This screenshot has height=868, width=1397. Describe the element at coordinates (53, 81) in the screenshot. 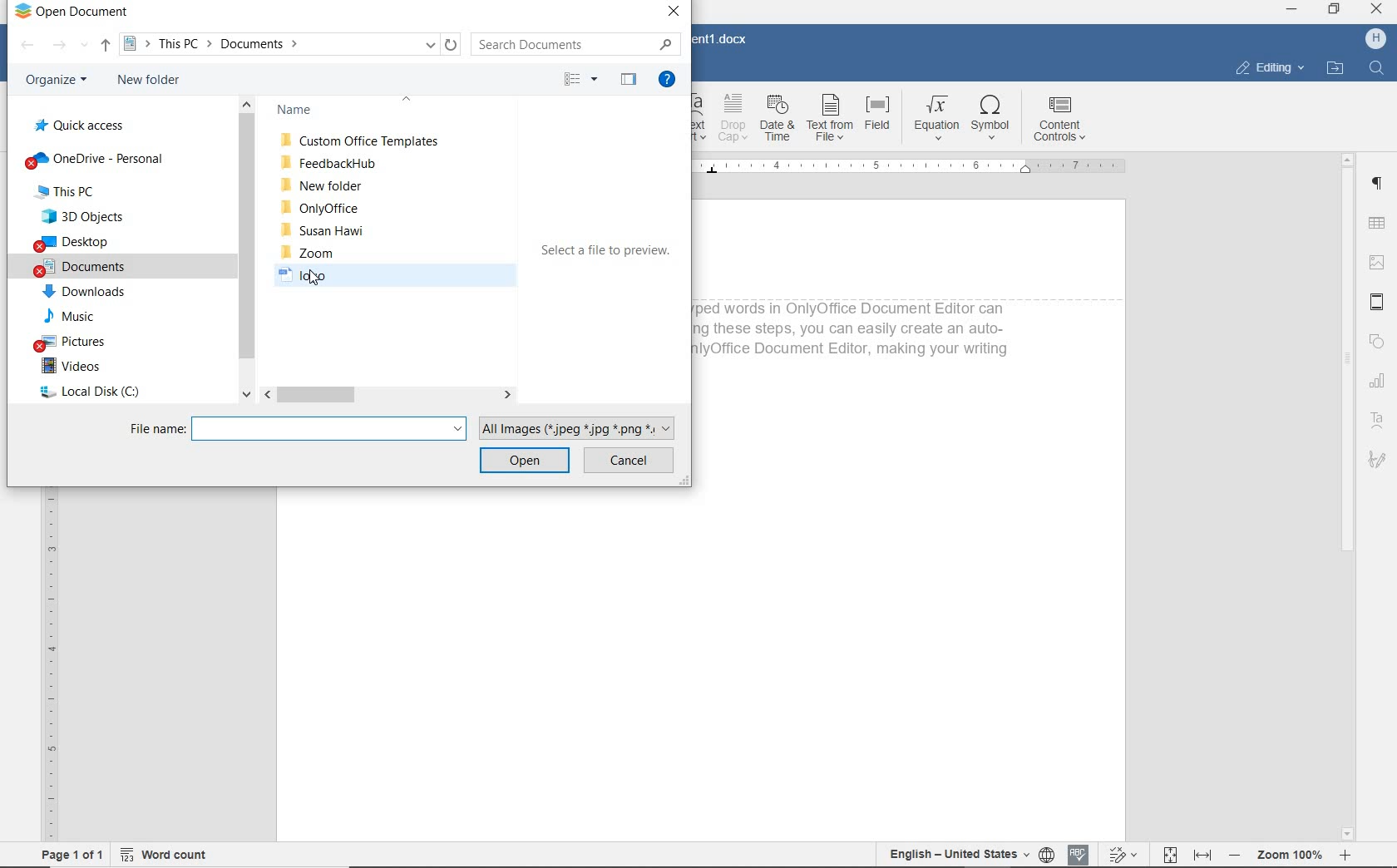

I see `ORGANIZE` at that location.